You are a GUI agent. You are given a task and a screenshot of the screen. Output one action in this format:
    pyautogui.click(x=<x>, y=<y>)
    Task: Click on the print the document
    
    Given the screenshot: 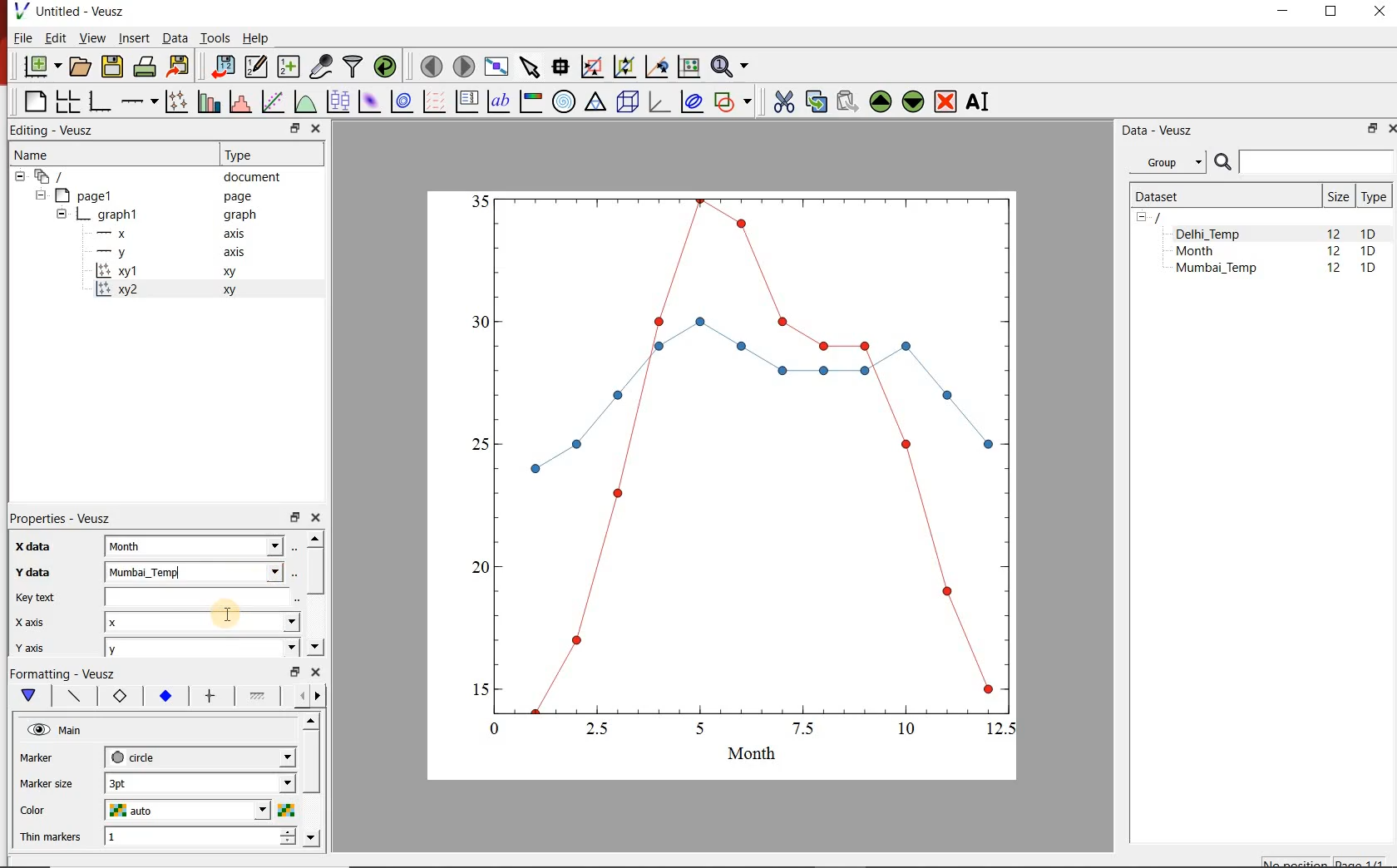 What is the action you would take?
    pyautogui.click(x=145, y=67)
    